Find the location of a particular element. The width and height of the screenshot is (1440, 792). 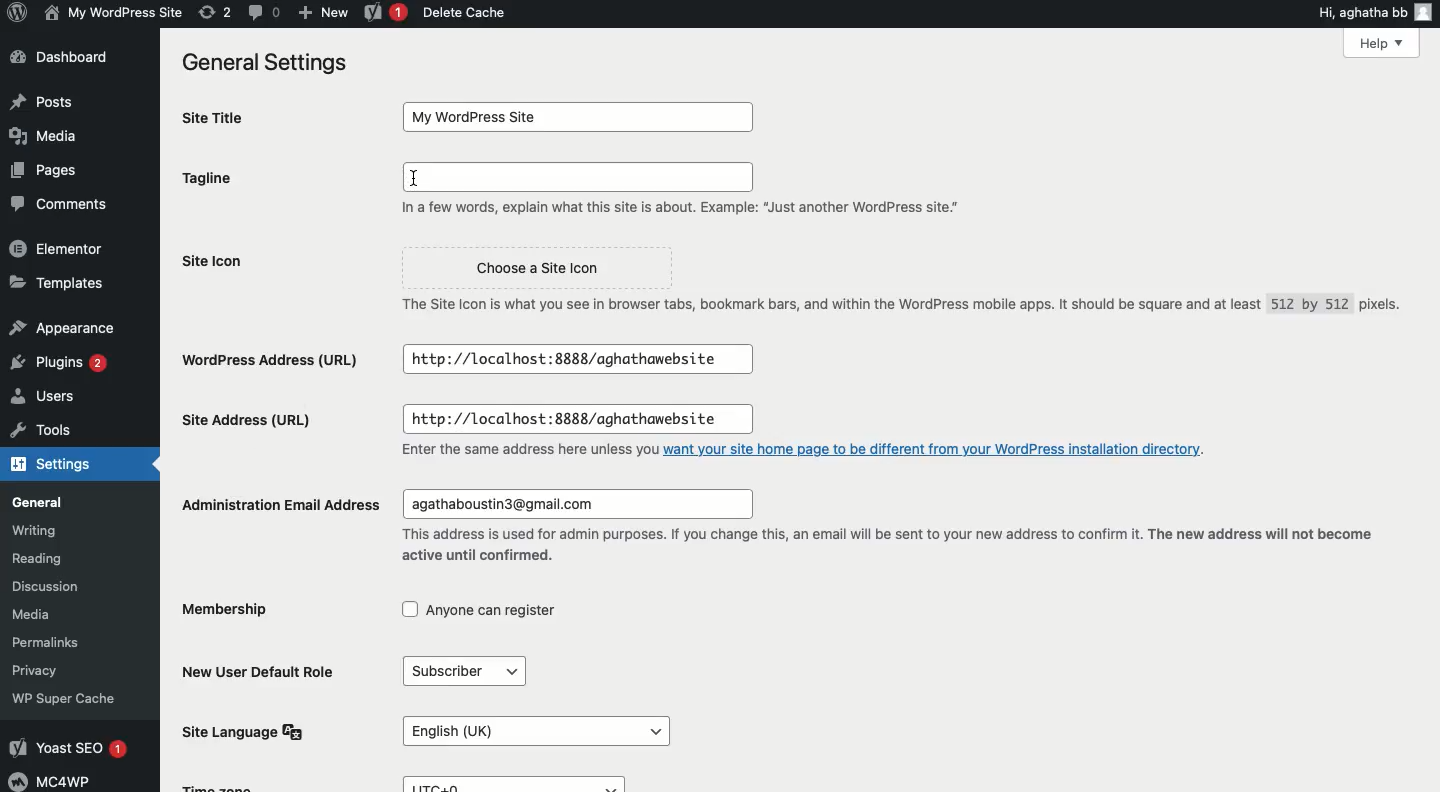

Typing space is located at coordinates (579, 179).